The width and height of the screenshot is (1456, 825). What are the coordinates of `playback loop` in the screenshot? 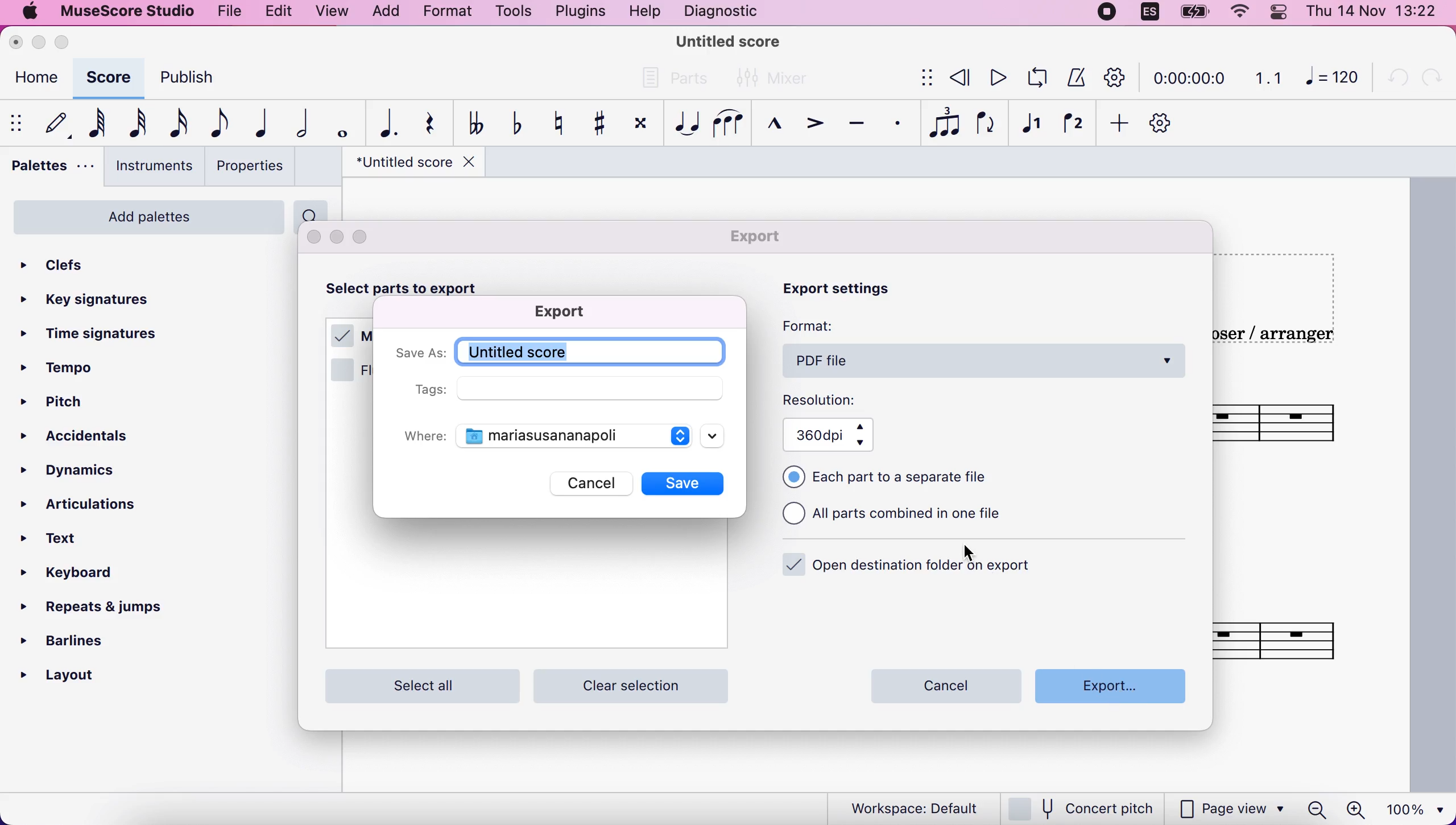 It's located at (1034, 79).